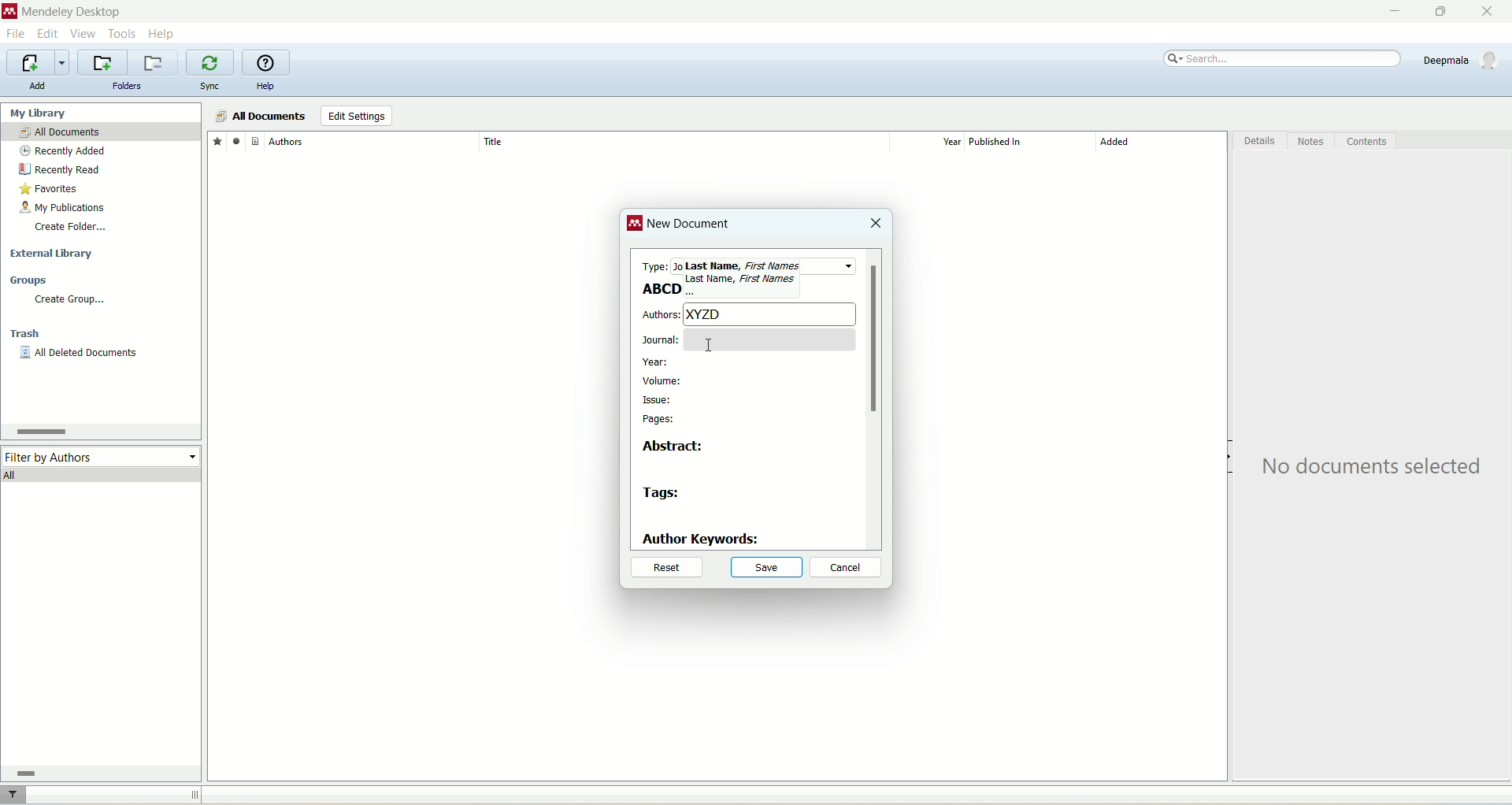 The height and width of the screenshot is (805, 1512). Describe the element at coordinates (28, 336) in the screenshot. I see `trash` at that location.